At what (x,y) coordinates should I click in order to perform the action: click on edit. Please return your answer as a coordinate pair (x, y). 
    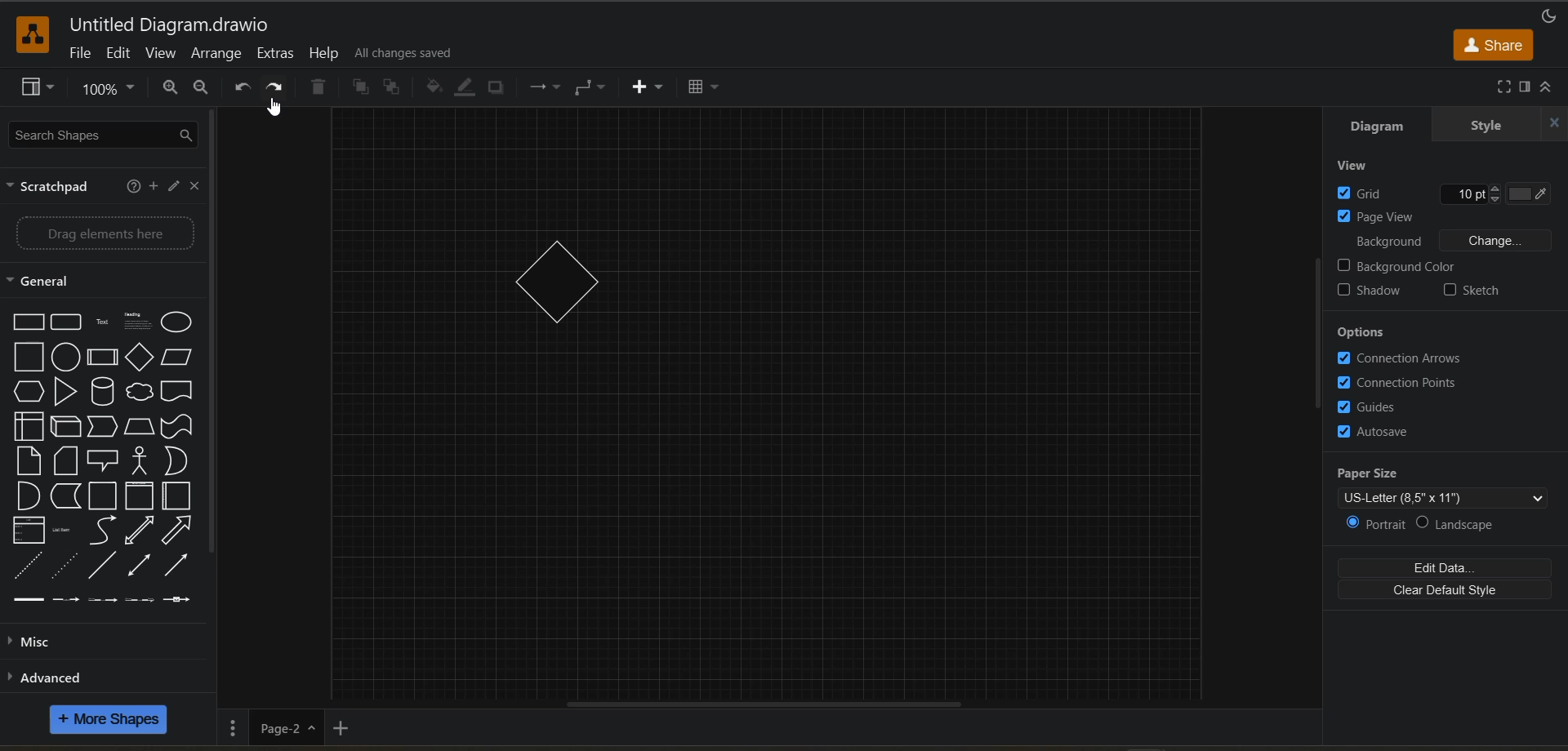
    Looking at the image, I should click on (120, 57).